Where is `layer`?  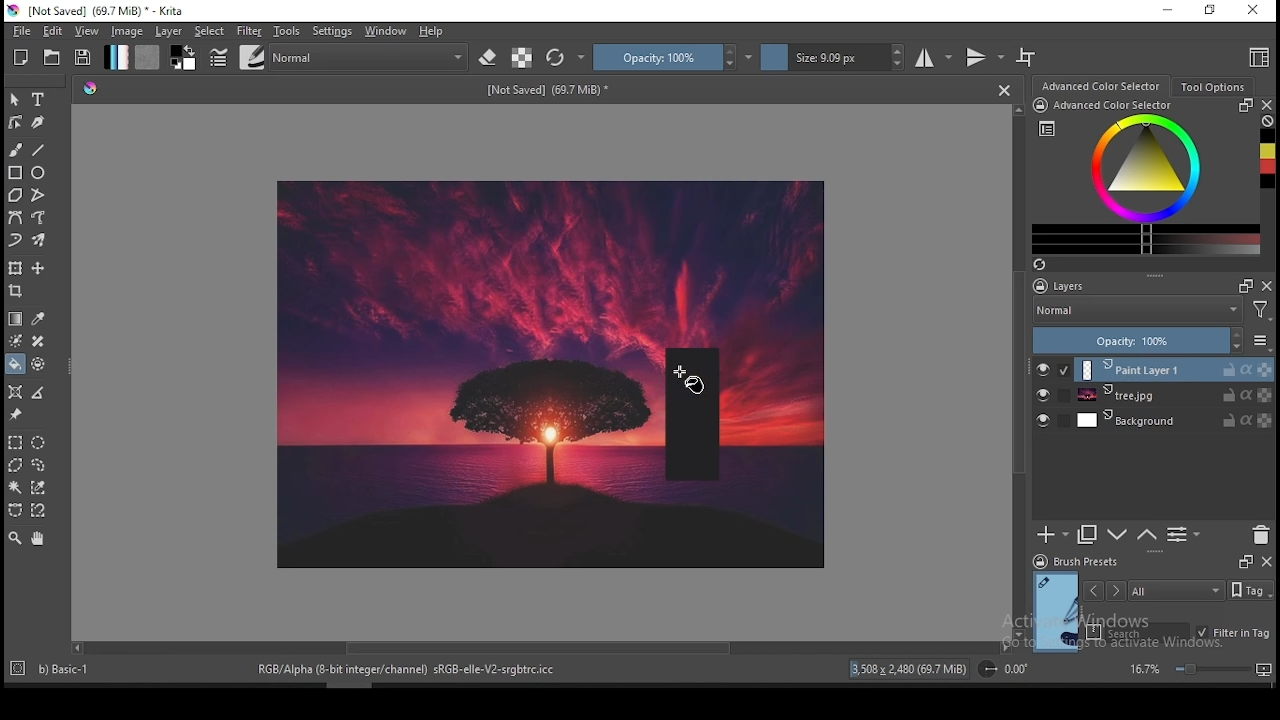 layer is located at coordinates (1174, 369).